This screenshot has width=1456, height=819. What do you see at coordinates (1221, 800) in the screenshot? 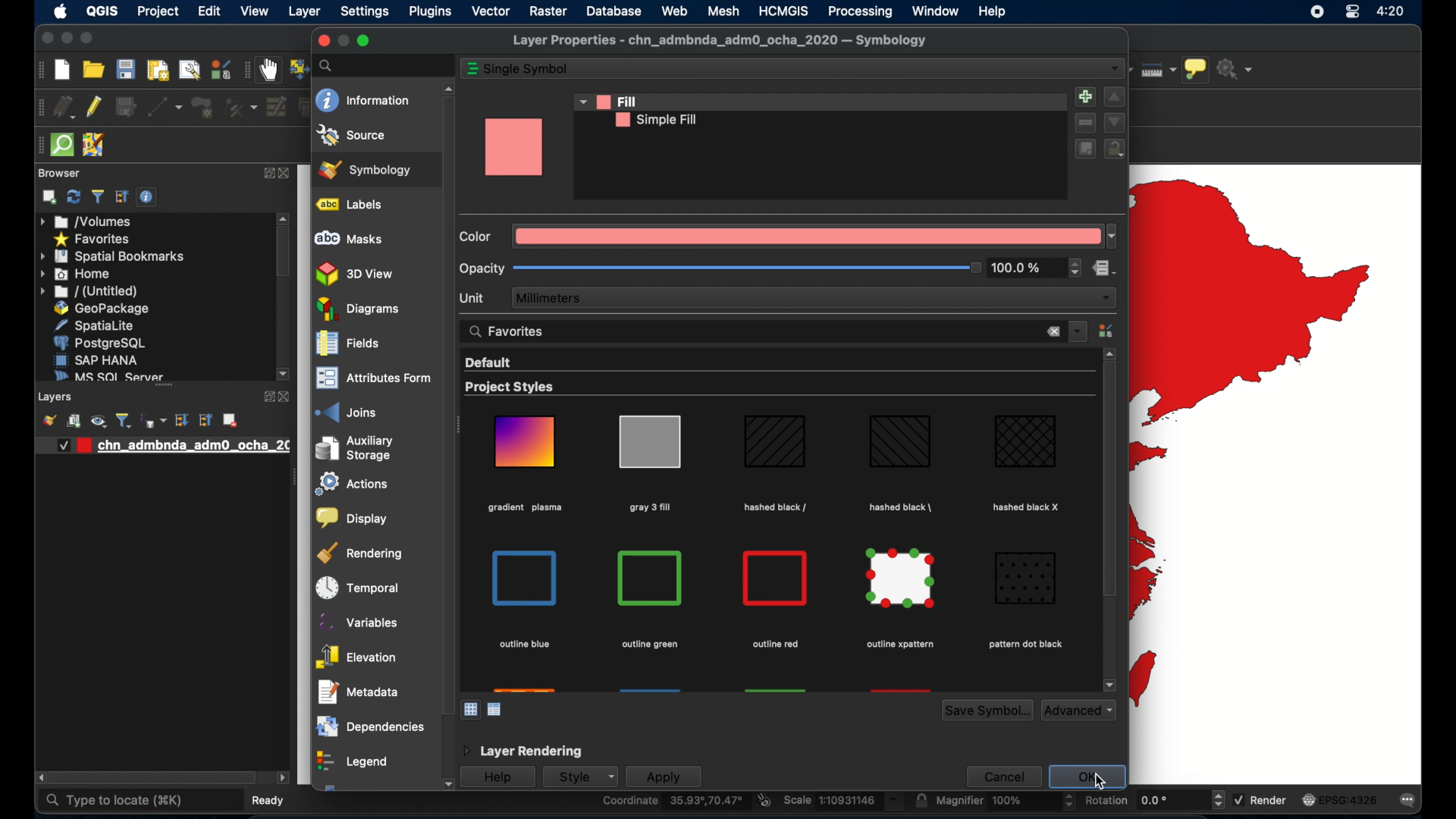
I see `increase or decrease rotation value` at bounding box center [1221, 800].